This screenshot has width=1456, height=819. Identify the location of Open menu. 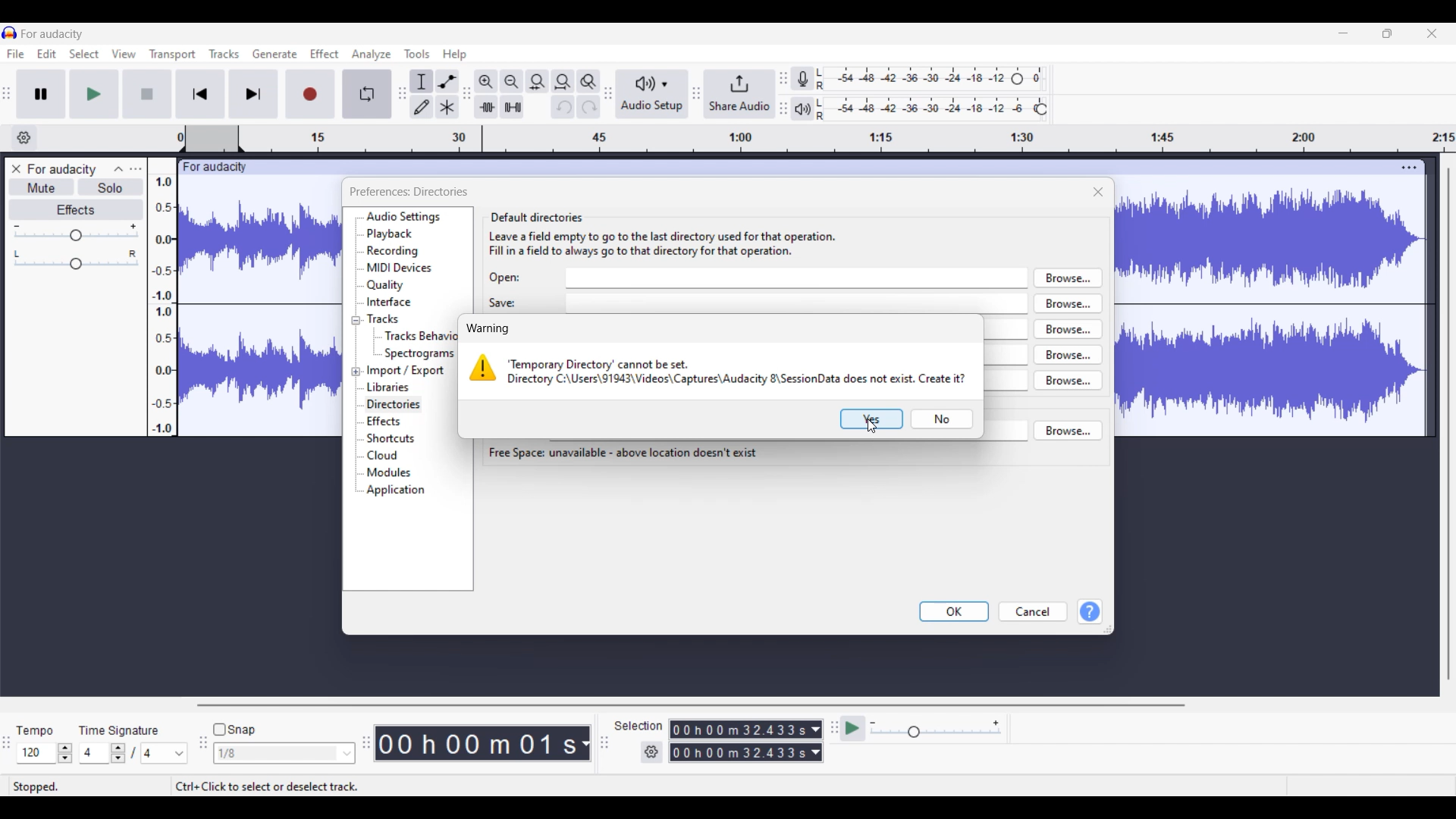
(136, 169).